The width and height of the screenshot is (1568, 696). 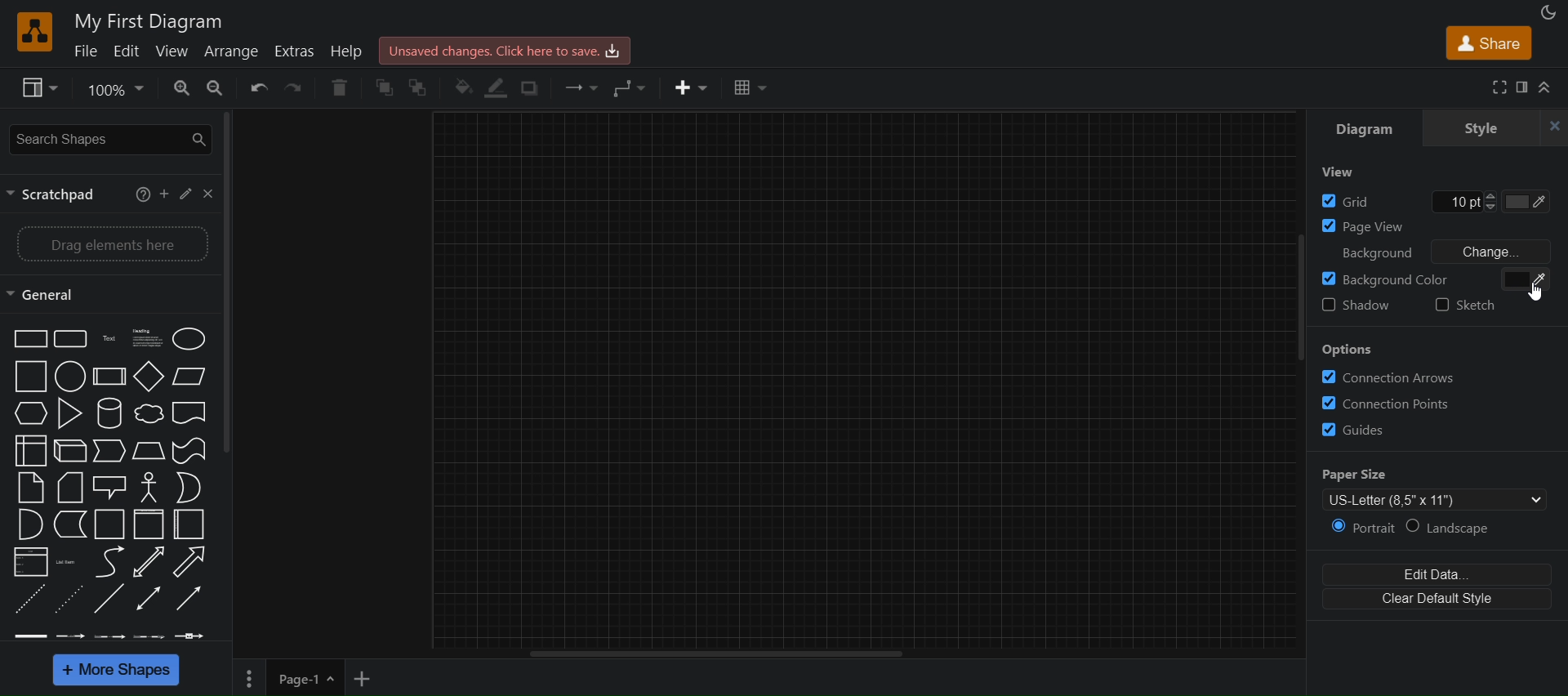 What do you see at coordinates (1460, 529) in the screenshot?
I see `landscape` at bounding box center [1460, 529].